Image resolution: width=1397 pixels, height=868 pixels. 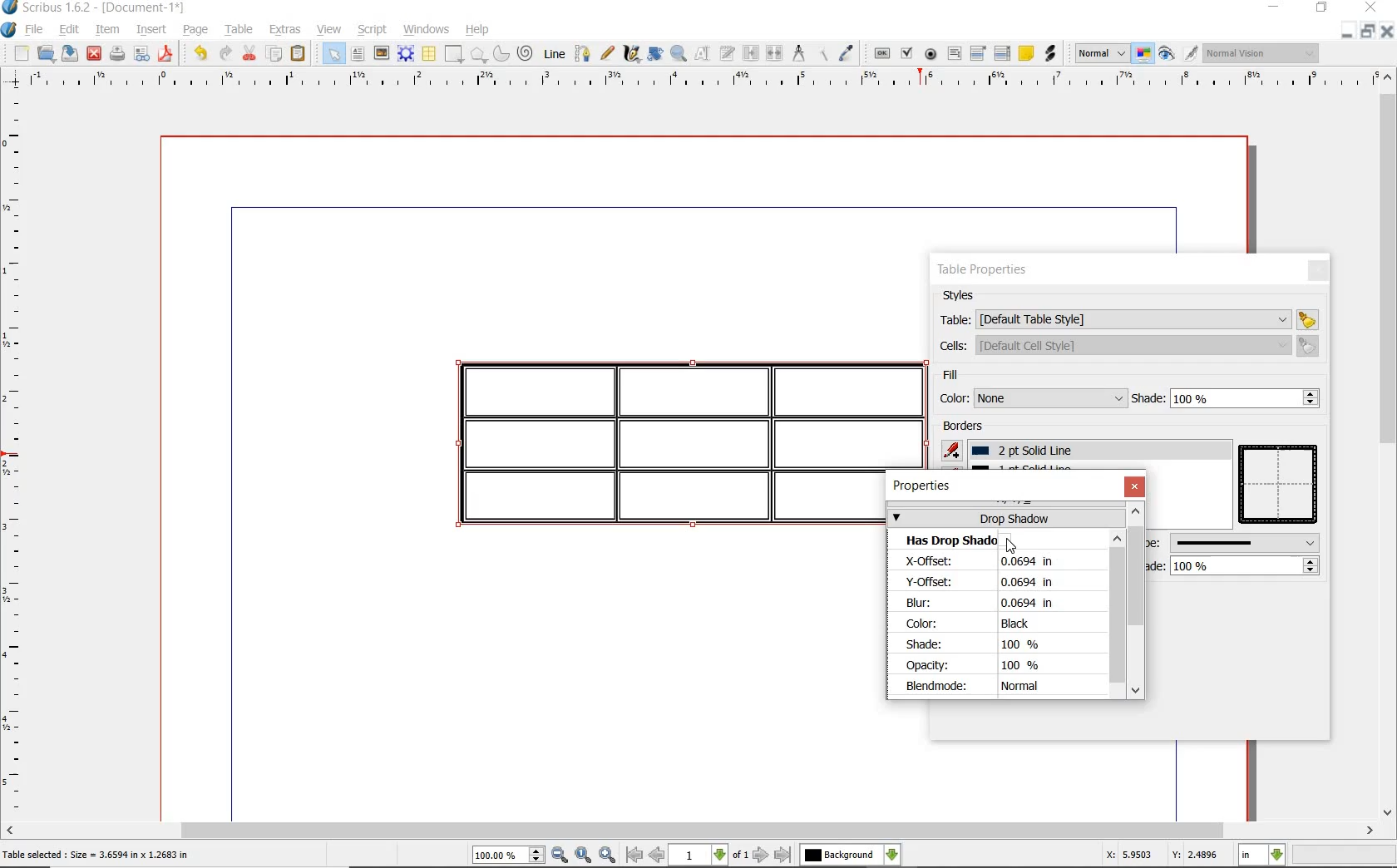 What do you see at coordinates (847, 55) in the screenshot?
I see `eye dropper` at bounding box center [847, 55].